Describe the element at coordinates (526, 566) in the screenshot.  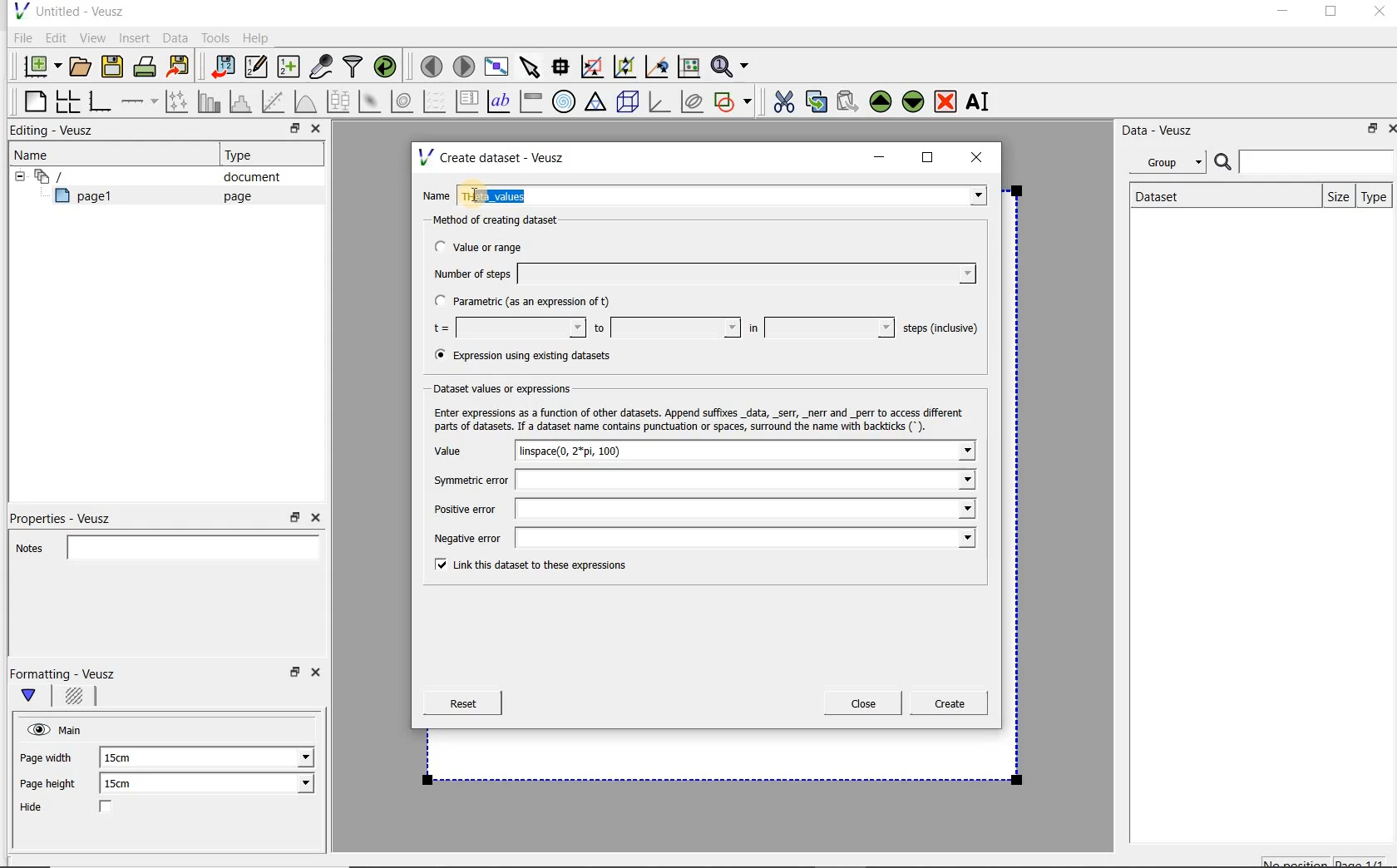
I see `Link this dataset to these expressions` at that location.